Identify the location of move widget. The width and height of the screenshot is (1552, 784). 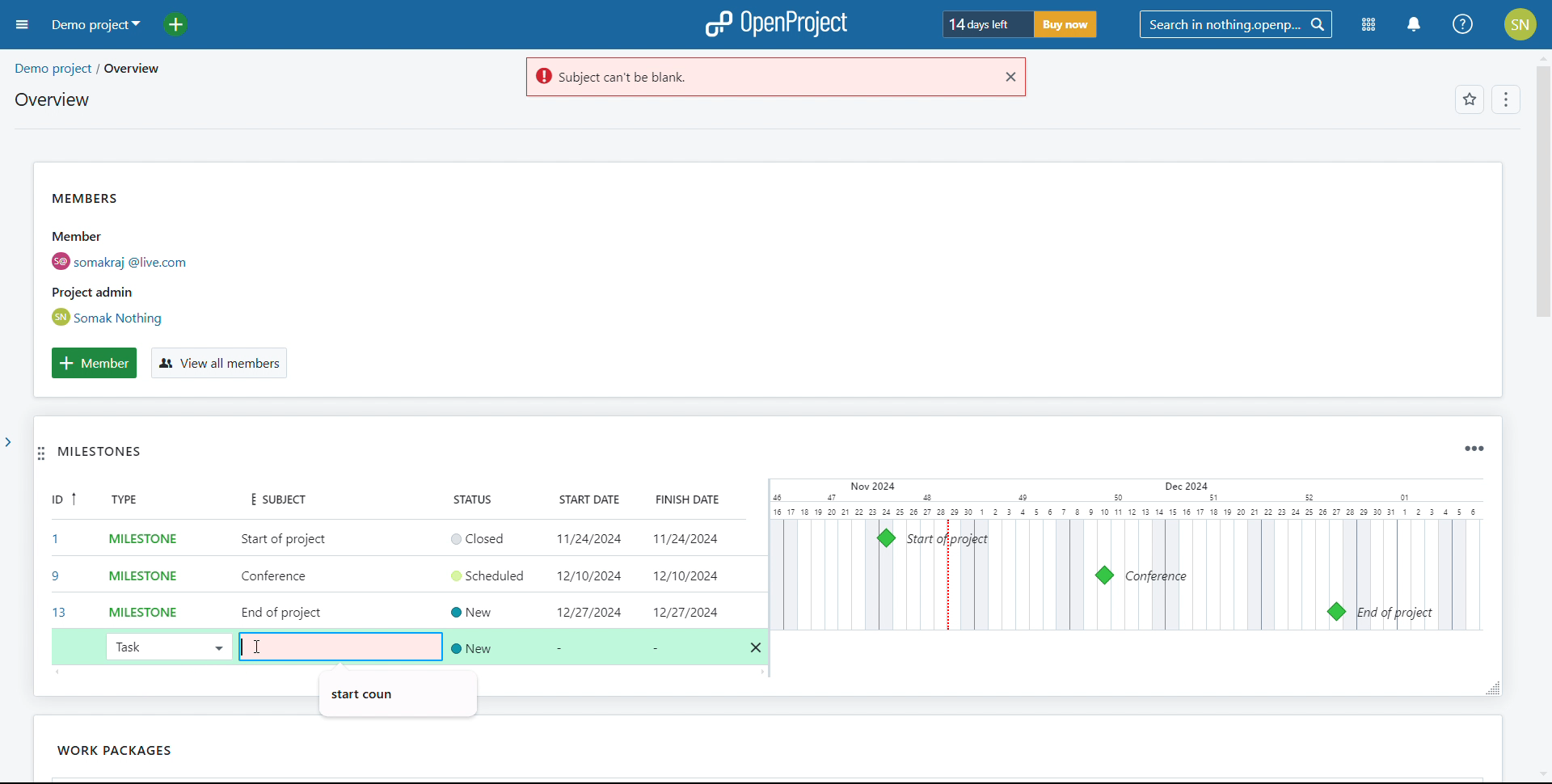
(41, 455).